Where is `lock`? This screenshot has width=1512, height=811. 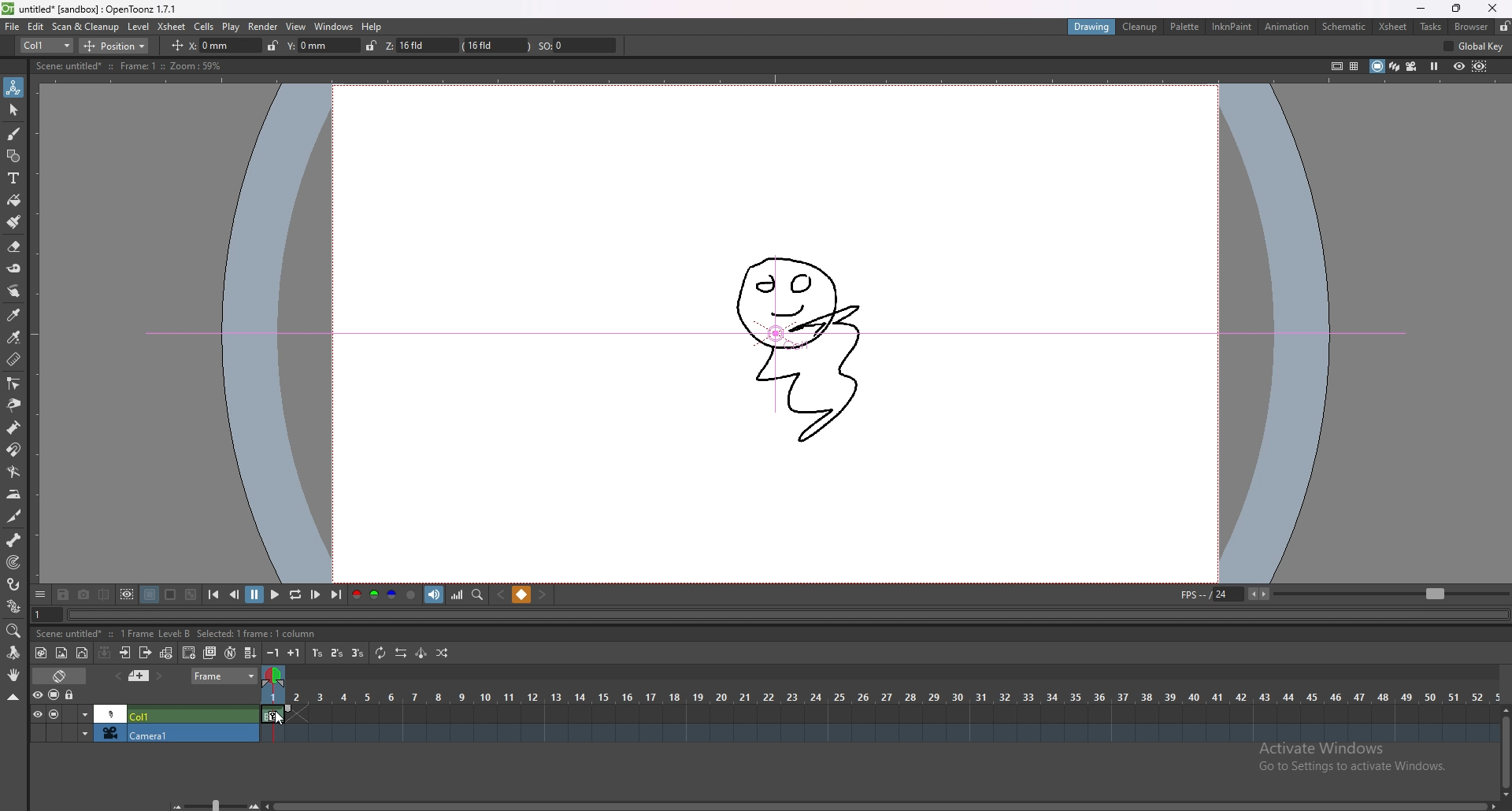
lock is located at coordinates (71, 695).